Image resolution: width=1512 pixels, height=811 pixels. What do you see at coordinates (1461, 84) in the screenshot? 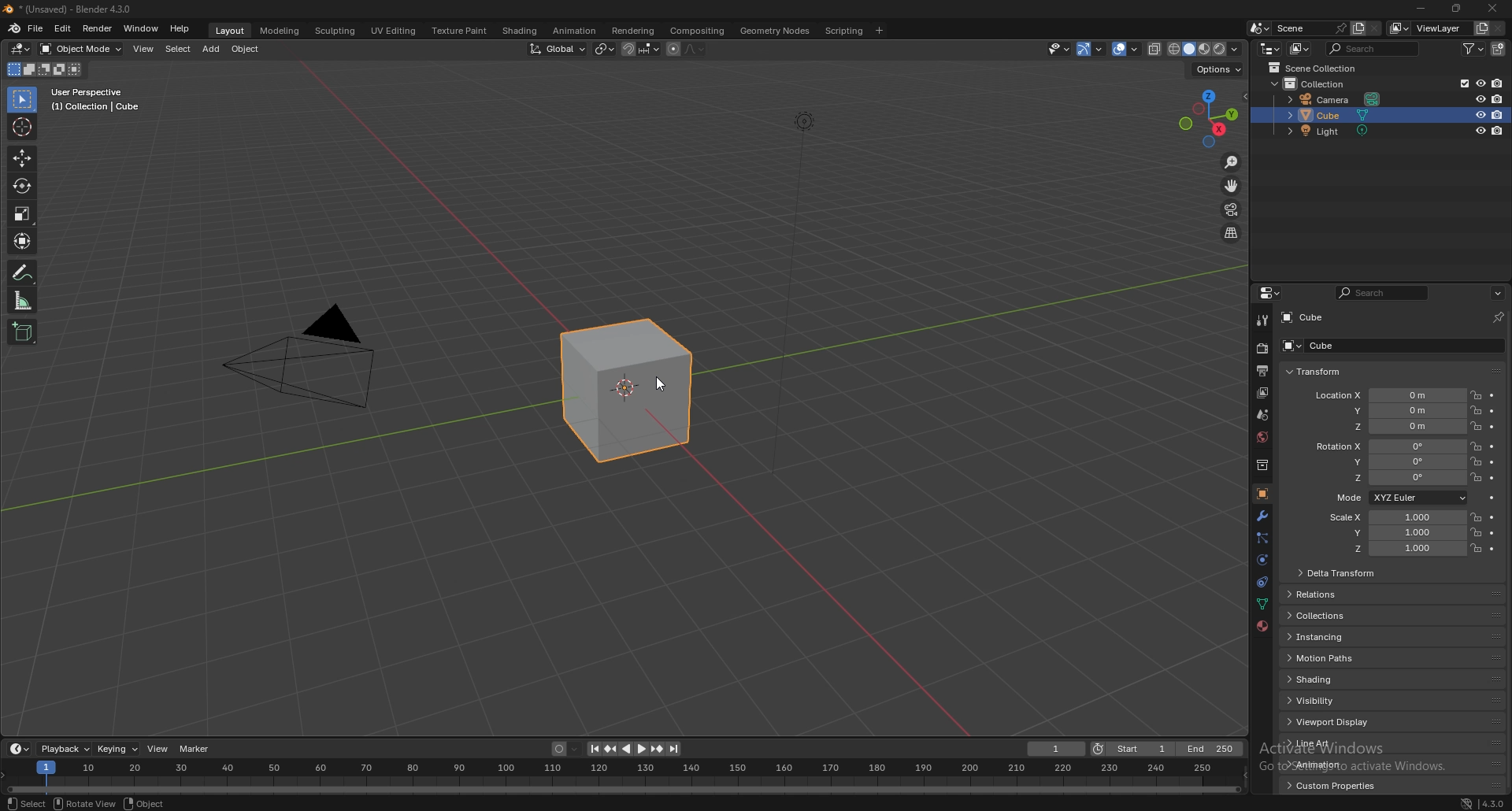
I see `exclude from viewlayer` at bounding box center [1461, 84].